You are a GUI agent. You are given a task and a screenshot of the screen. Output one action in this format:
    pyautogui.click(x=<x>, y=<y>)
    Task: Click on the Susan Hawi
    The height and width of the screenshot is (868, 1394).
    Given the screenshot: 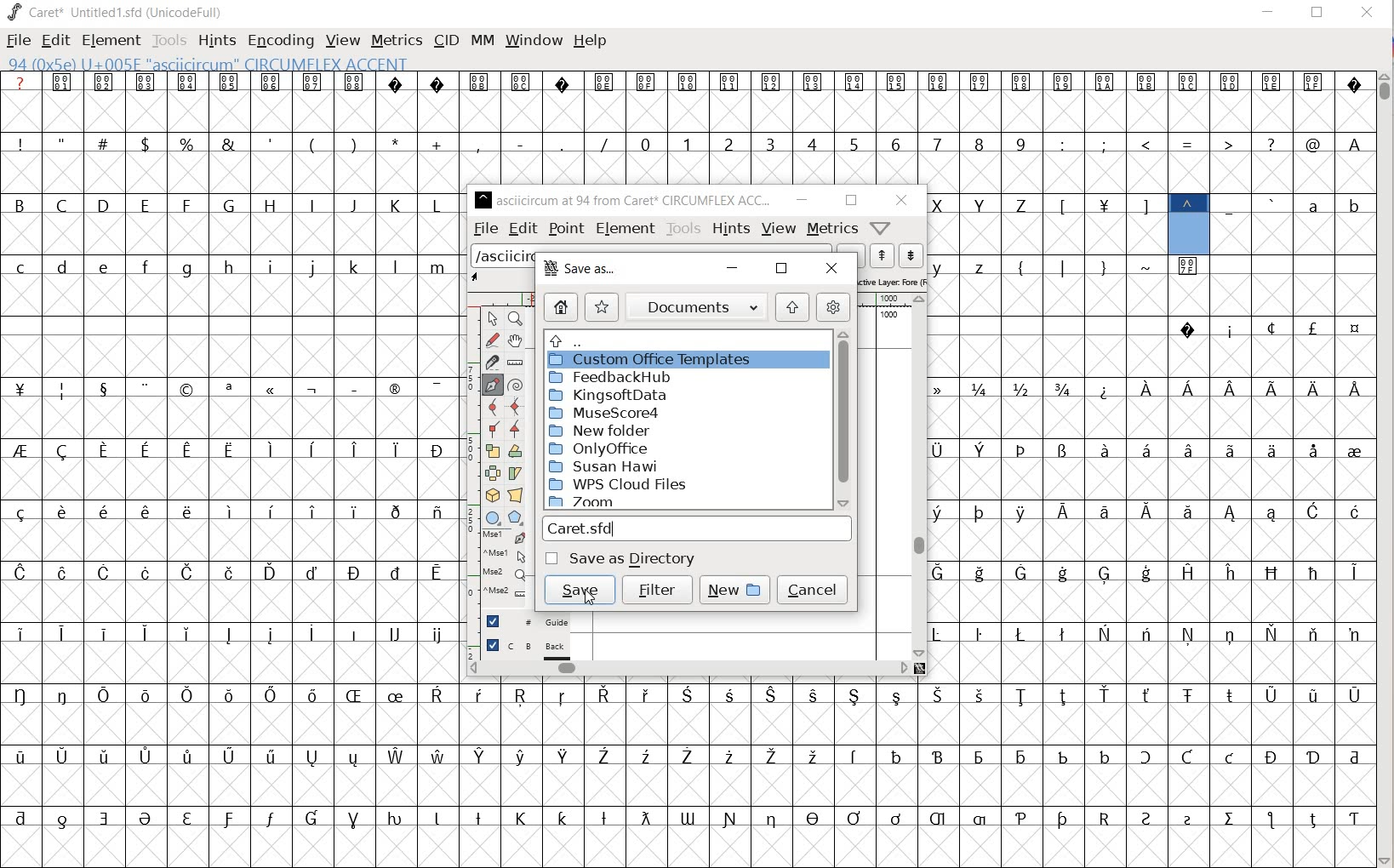 What is the action you would take?
    pyautogui.click(x=607, y=467)
    